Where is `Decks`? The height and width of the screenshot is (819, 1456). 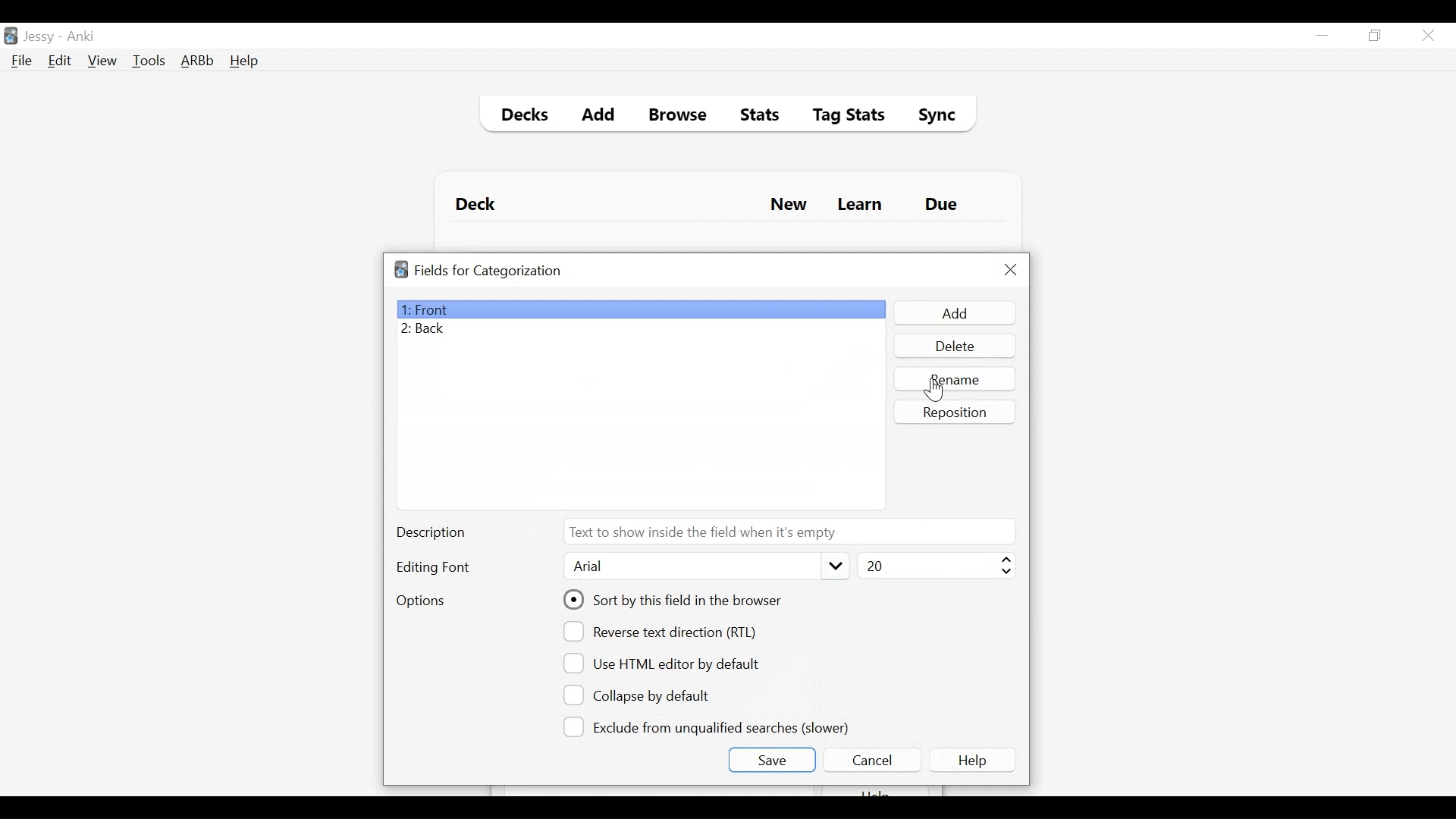
Decks is located at coordinates (521, 117).